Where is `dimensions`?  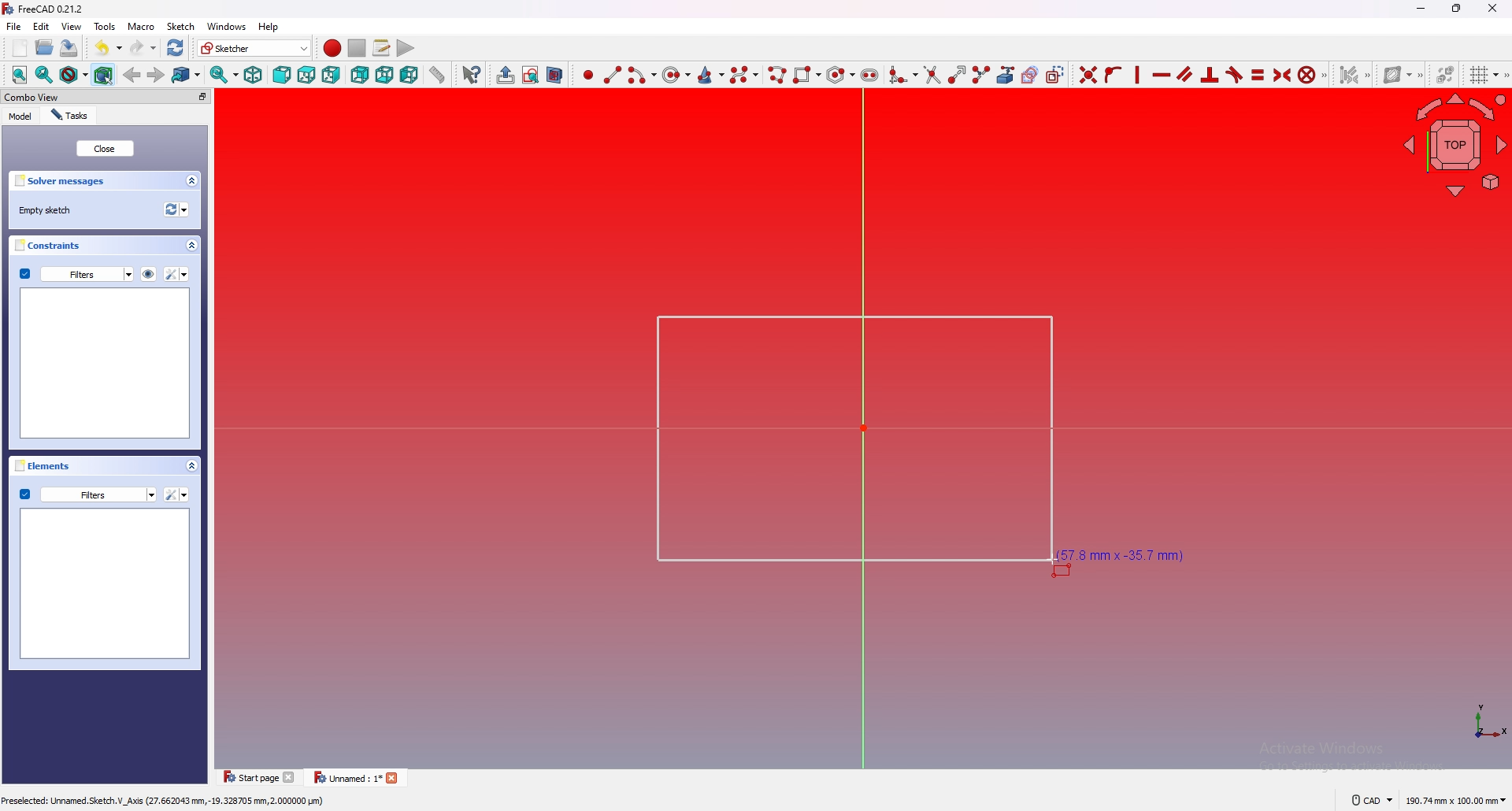 dimensions is located at coordinates (1455, 801).